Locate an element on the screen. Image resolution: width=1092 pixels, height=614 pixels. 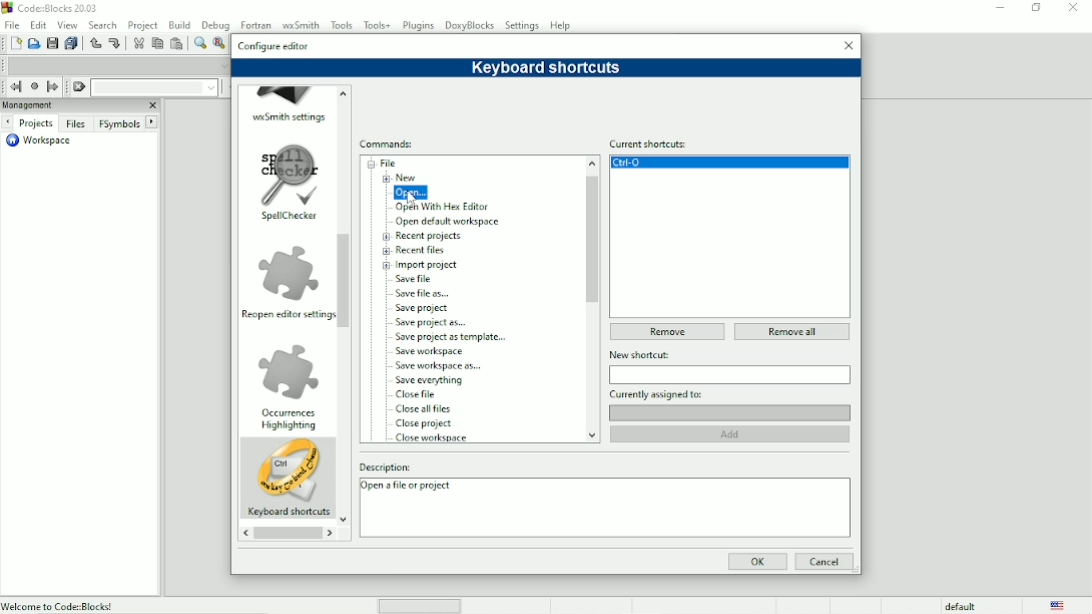
Workspace is located at coordinates (43, 142).